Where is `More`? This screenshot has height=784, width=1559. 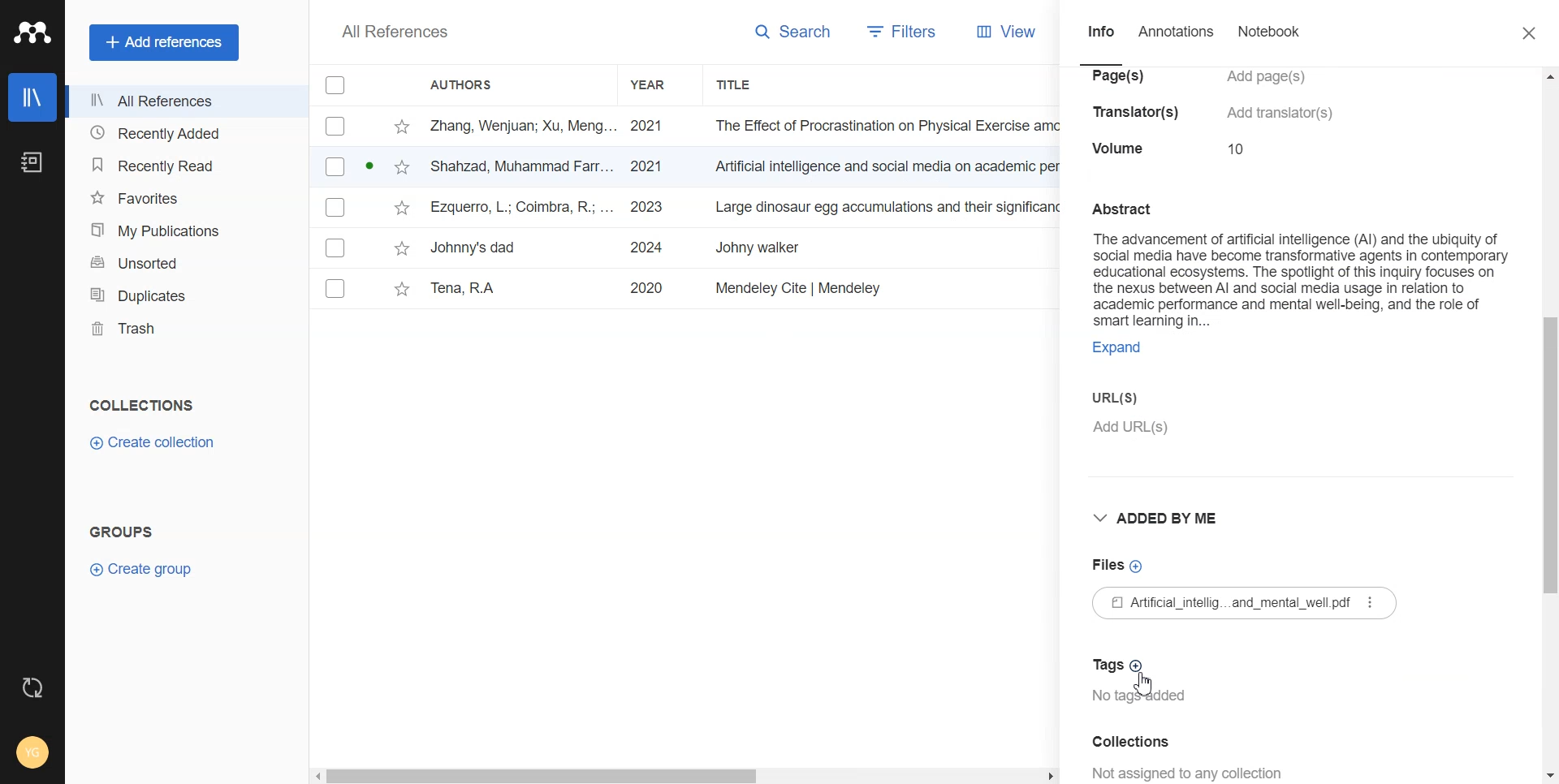 More is located at coordinates (1368, 603).